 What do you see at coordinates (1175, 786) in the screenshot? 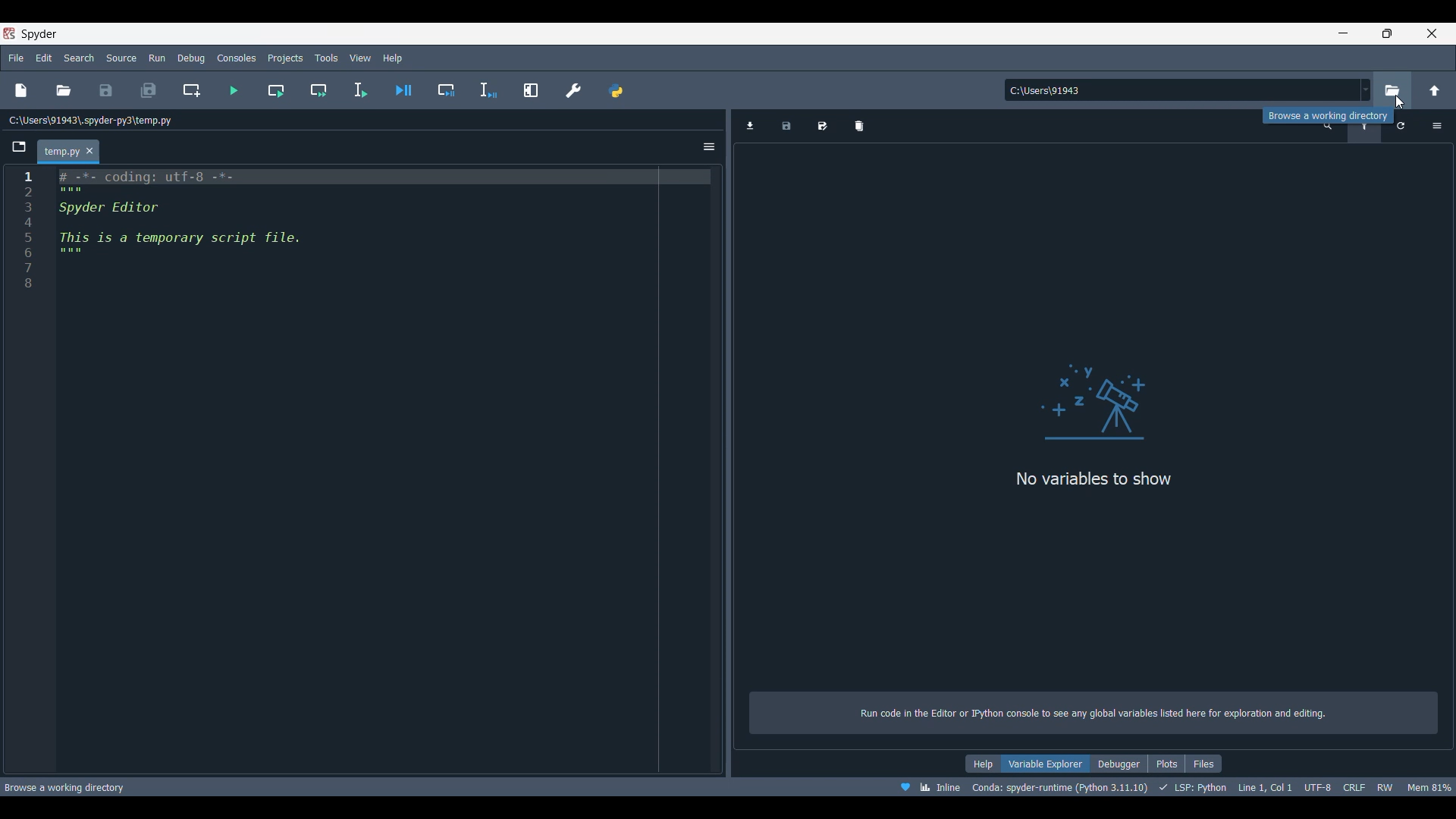
I see `Code details` at bounding box center [1175, 786].